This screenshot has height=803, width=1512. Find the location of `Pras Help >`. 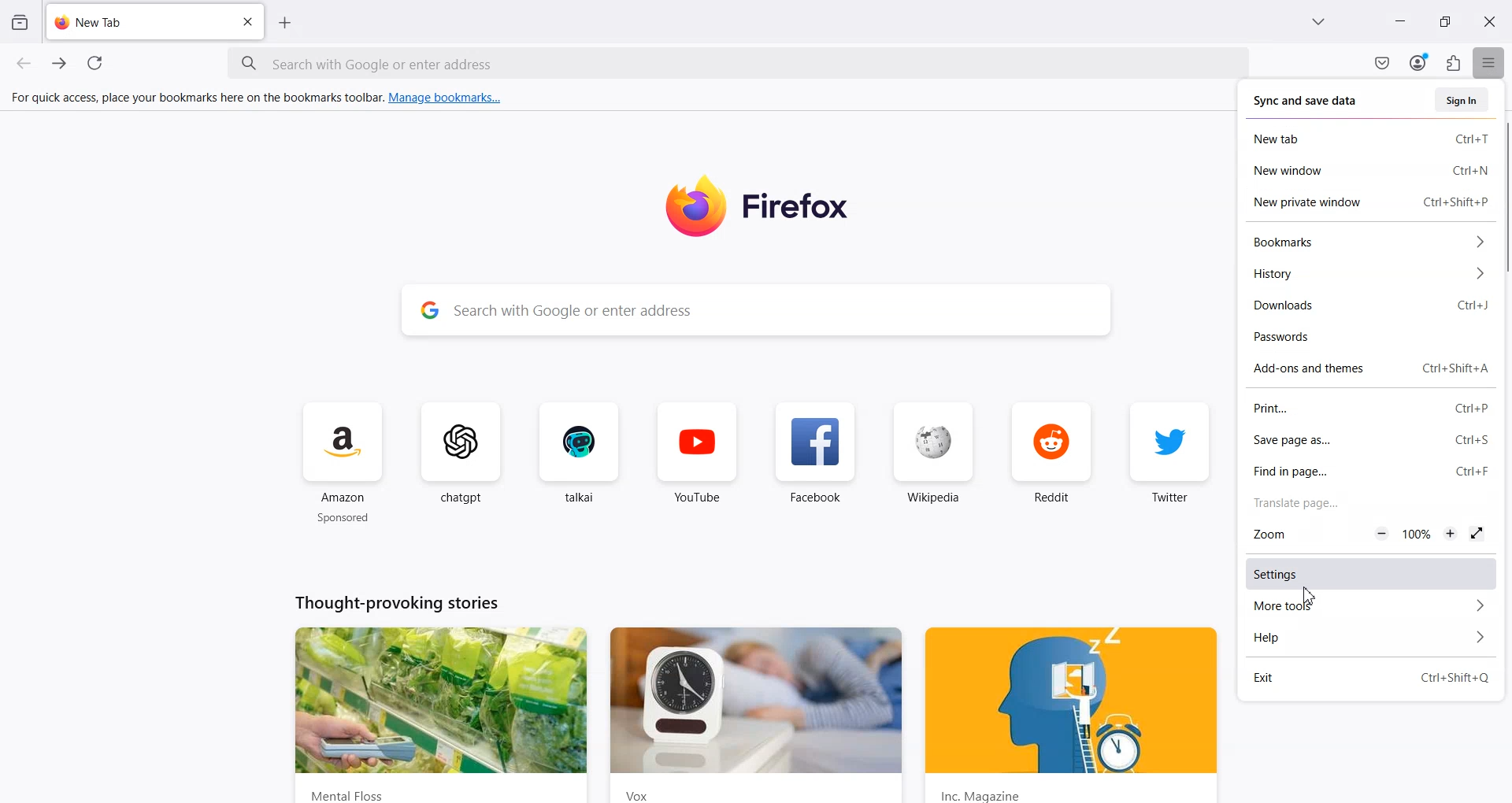

Pras Help > is located at coordinates (1373, 639).